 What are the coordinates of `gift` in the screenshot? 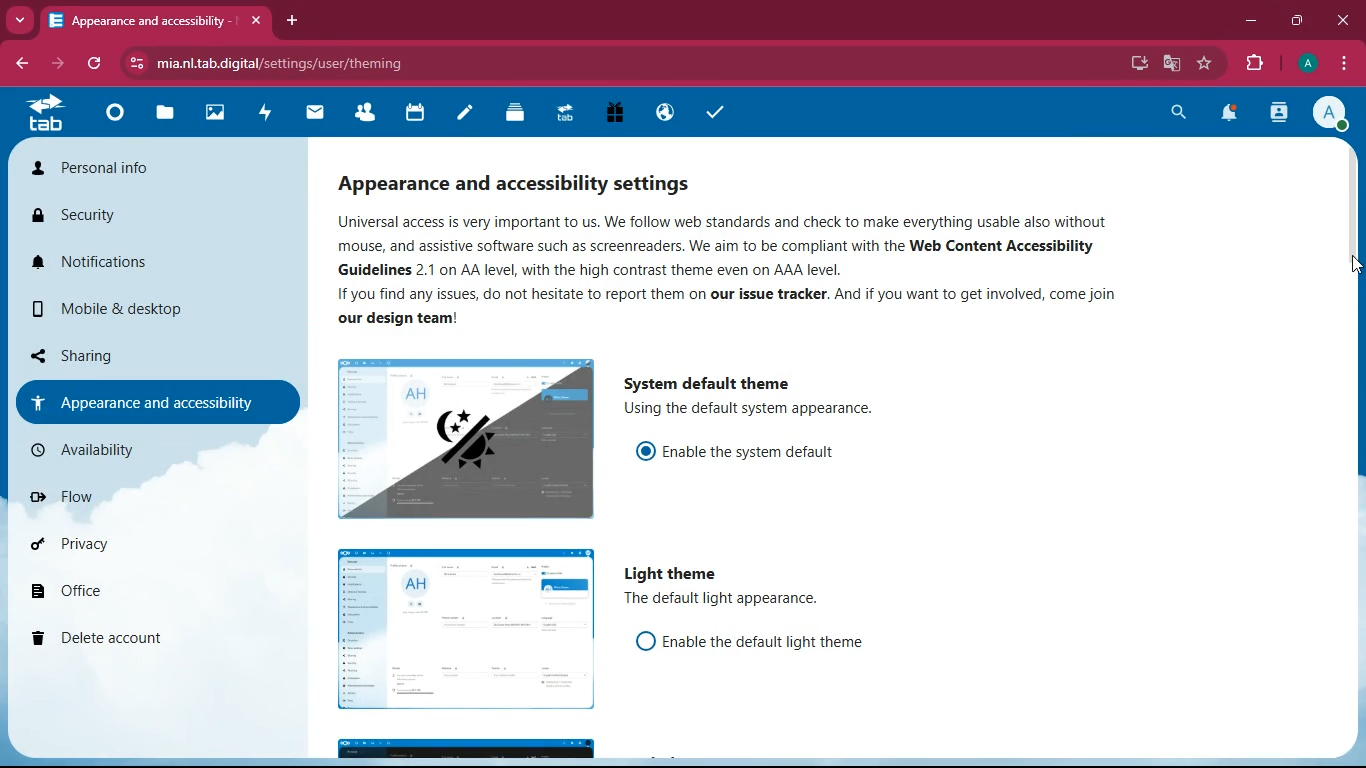 It's located at (610, 114).